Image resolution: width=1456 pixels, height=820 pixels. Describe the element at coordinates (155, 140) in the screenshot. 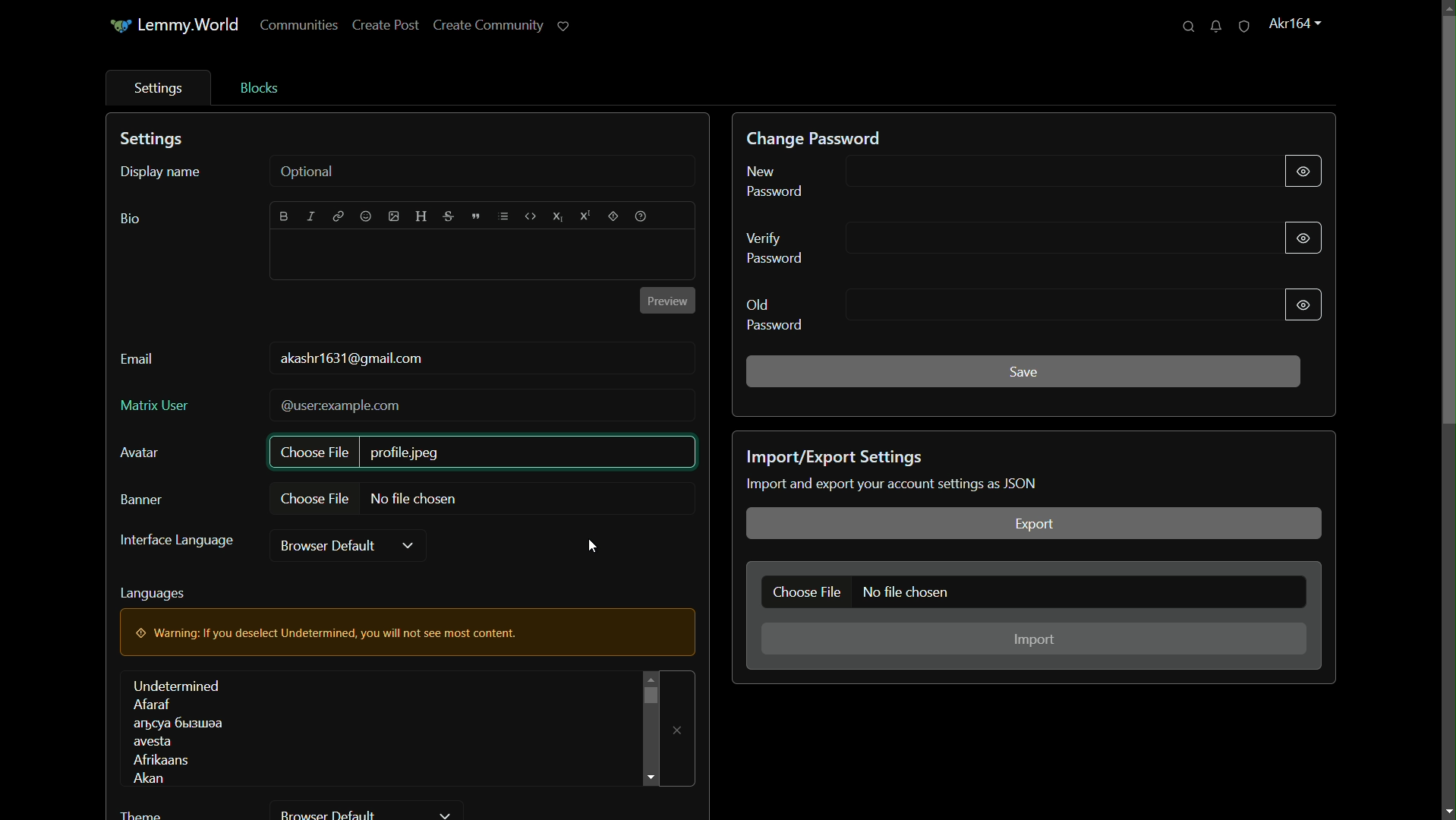

I see `settings` at that location.